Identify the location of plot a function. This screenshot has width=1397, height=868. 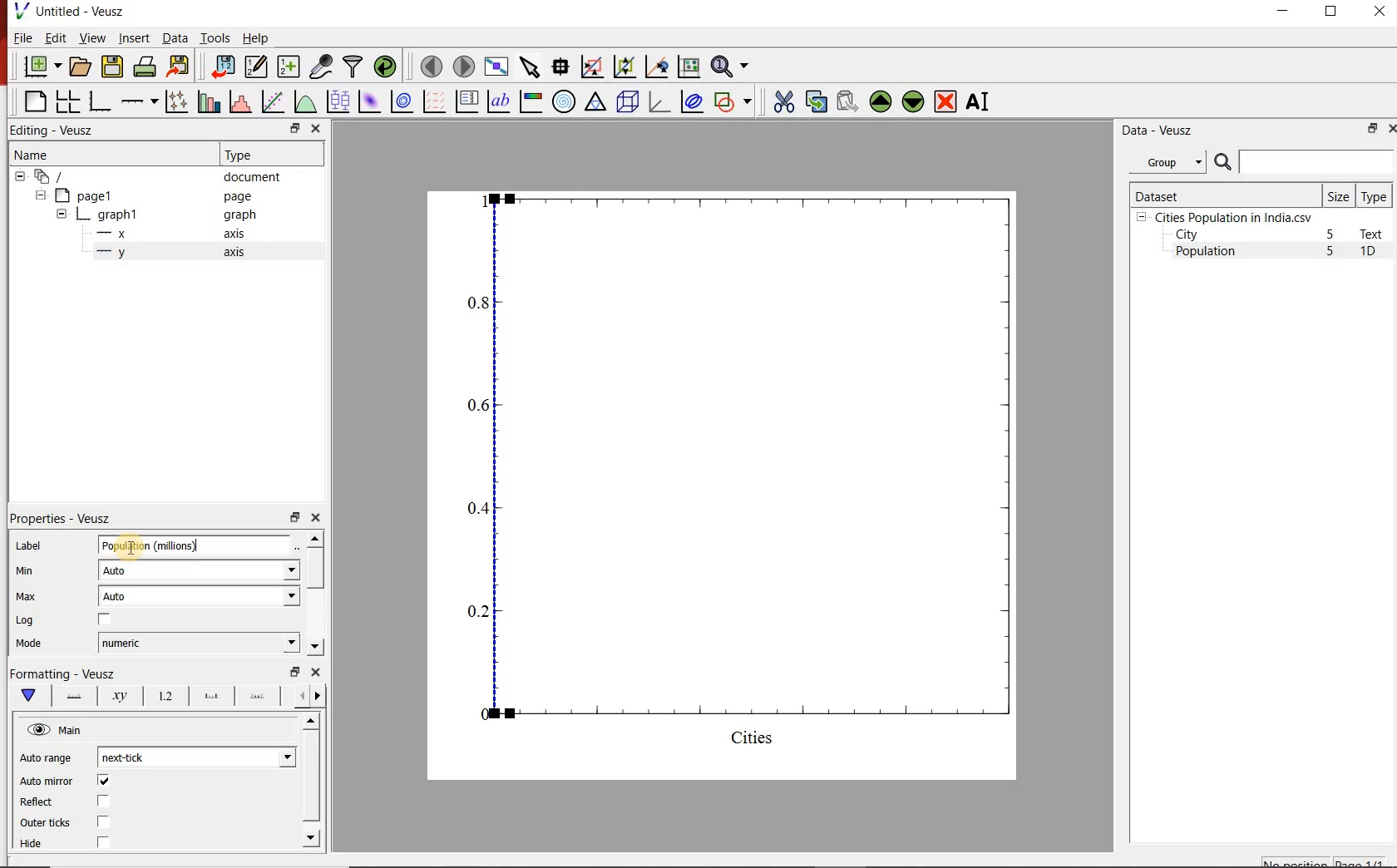
(304, 101).